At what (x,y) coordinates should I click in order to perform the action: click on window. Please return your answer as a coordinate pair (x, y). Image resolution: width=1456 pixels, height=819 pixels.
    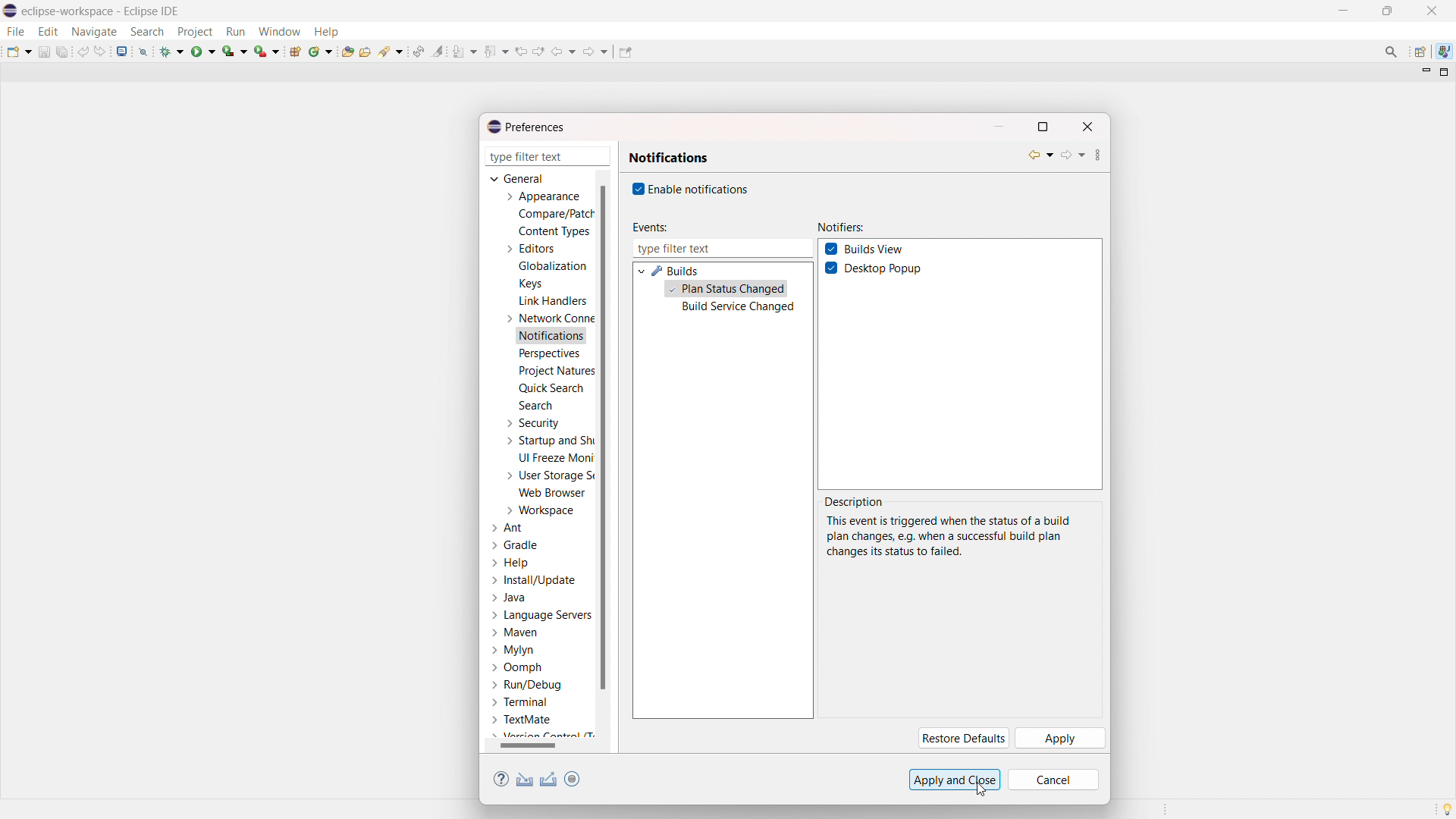
    Looking at the image, I should click on (279, 31).